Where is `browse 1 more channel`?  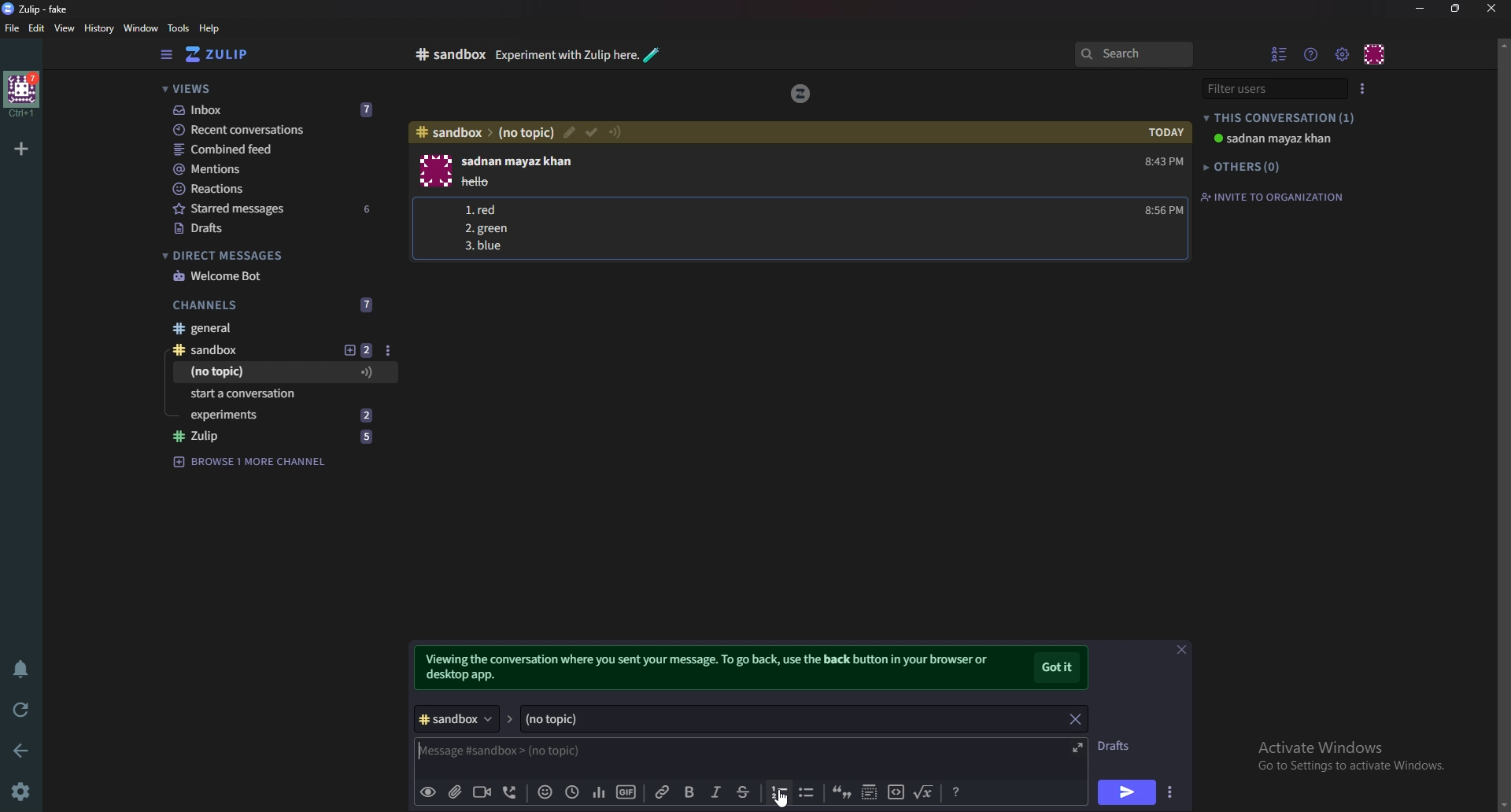
browse 1 more channel is located at coordinates (249, 460).